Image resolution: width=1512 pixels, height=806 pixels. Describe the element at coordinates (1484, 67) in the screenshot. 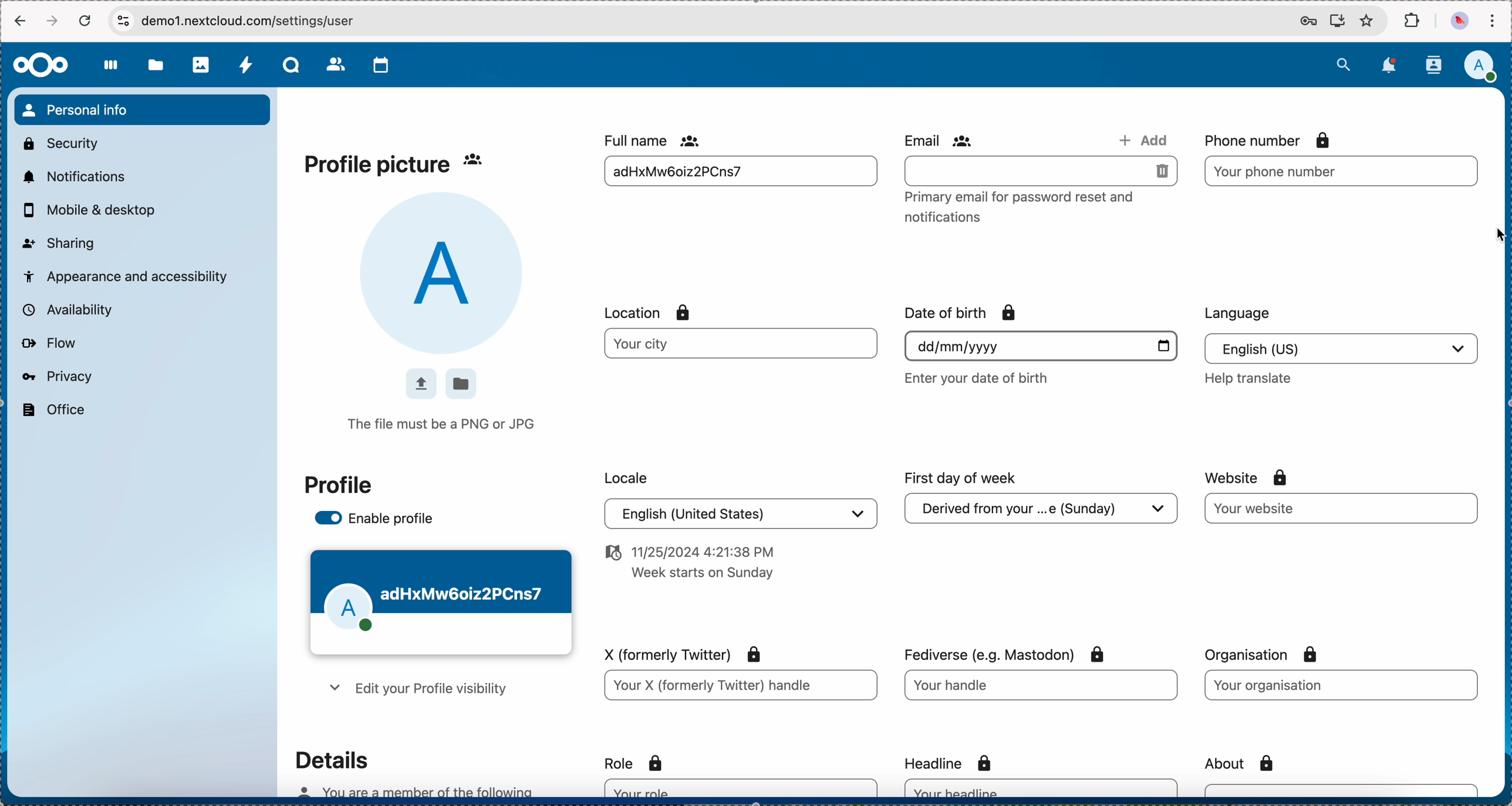

I see `click on user profile` at that location.